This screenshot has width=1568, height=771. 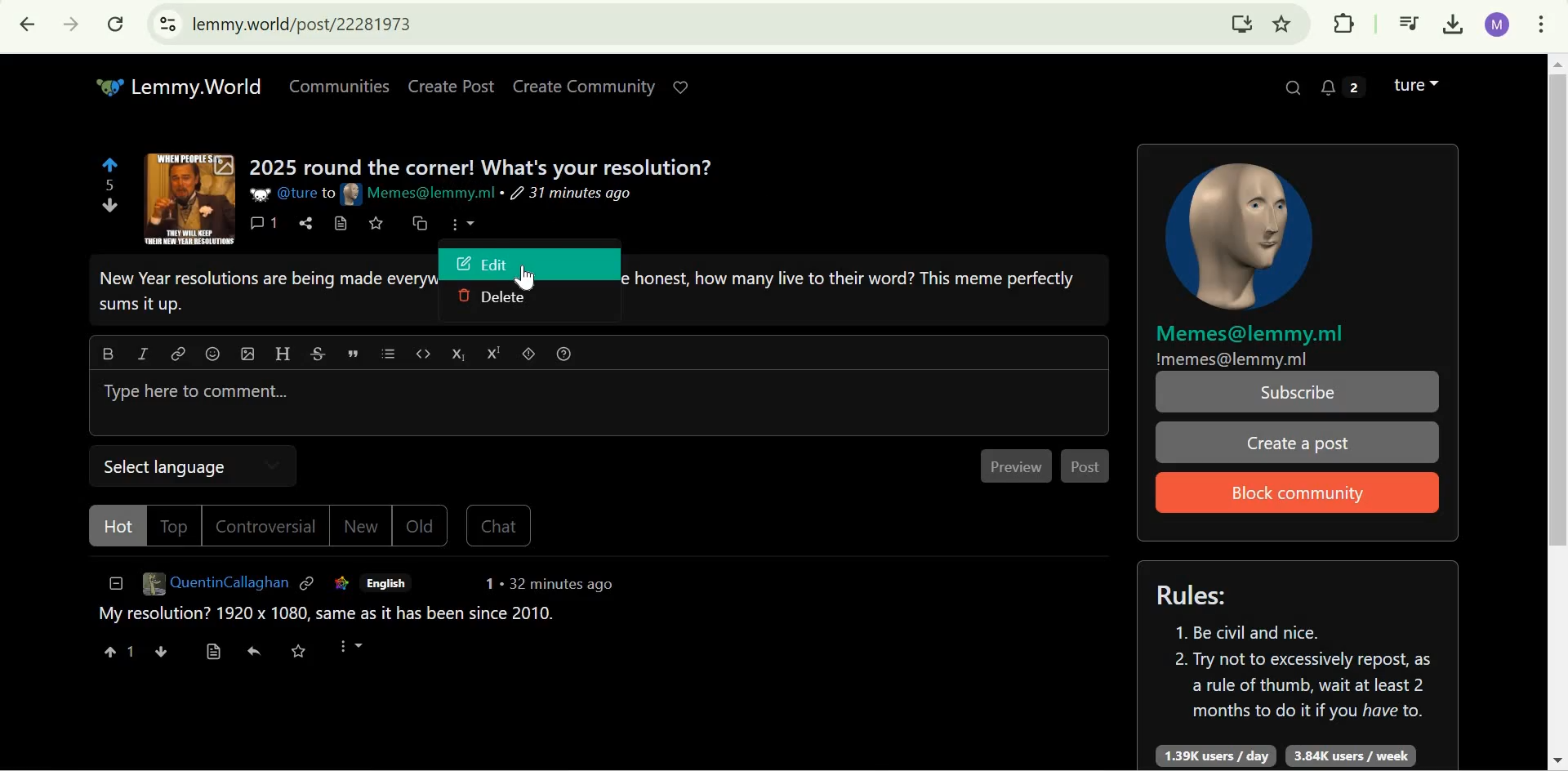 I want to click on 3.84K users/week, so click(x=1349, y=756).